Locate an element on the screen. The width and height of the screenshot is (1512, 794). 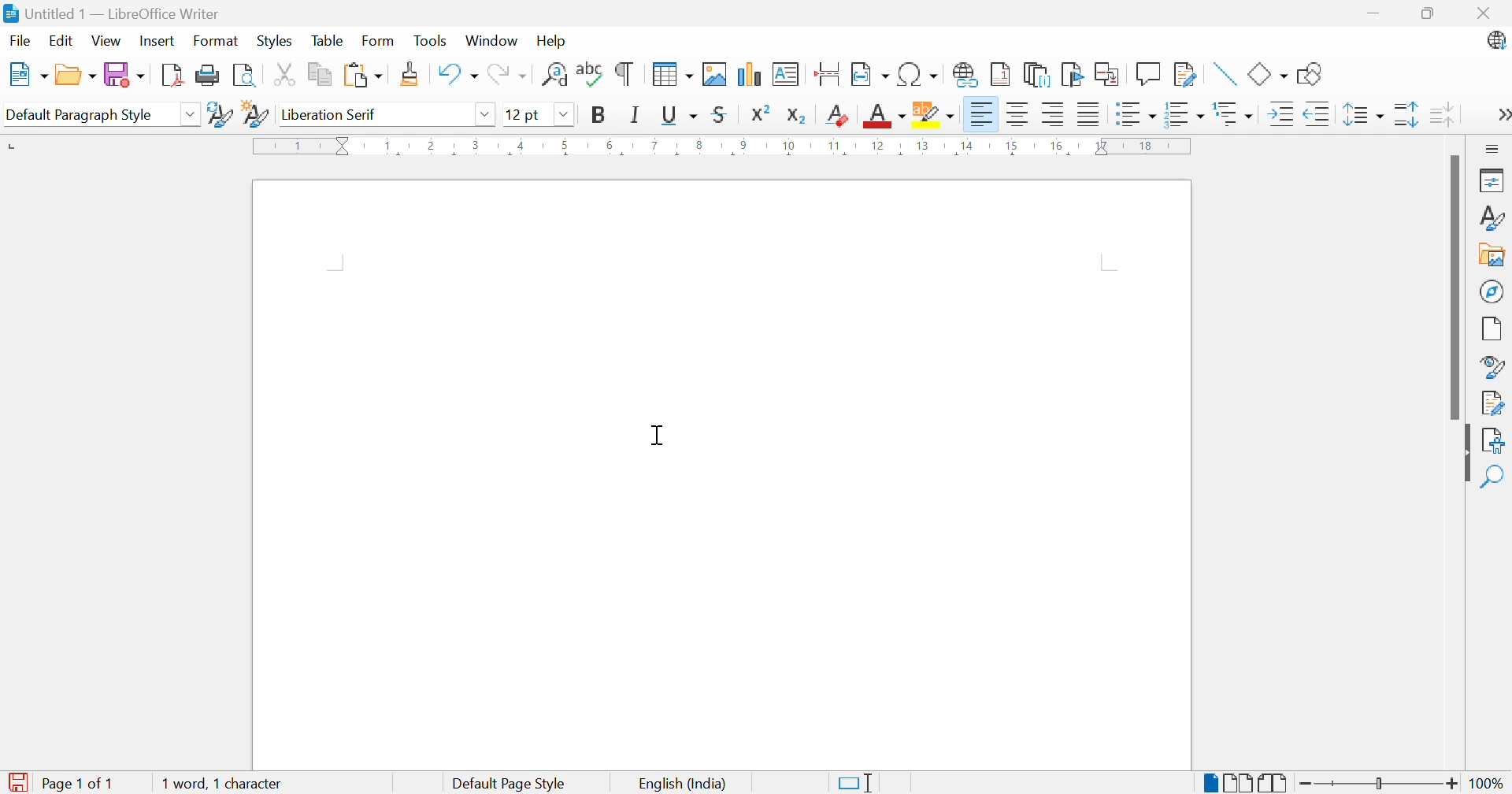
Clear direct formatting is located at coordinates (837, 116).